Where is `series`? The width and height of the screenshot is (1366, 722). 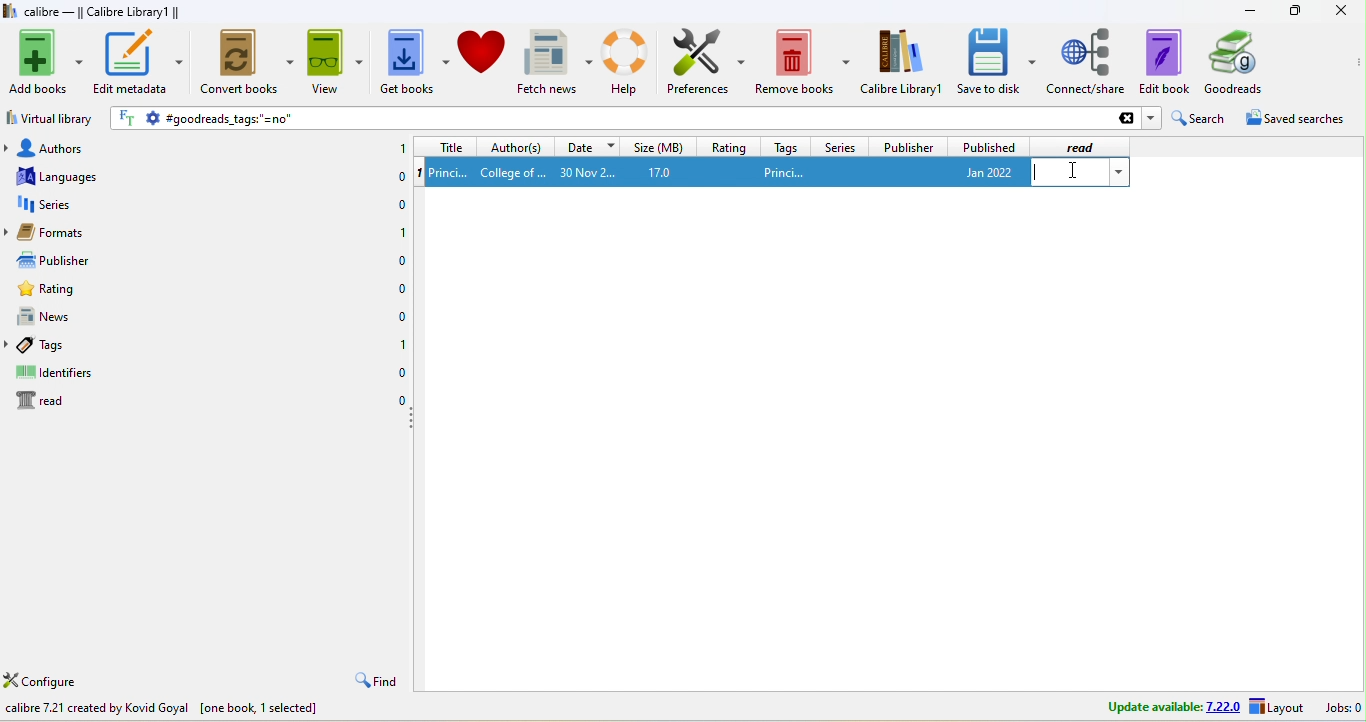
series is located at coordinates (841, 146).